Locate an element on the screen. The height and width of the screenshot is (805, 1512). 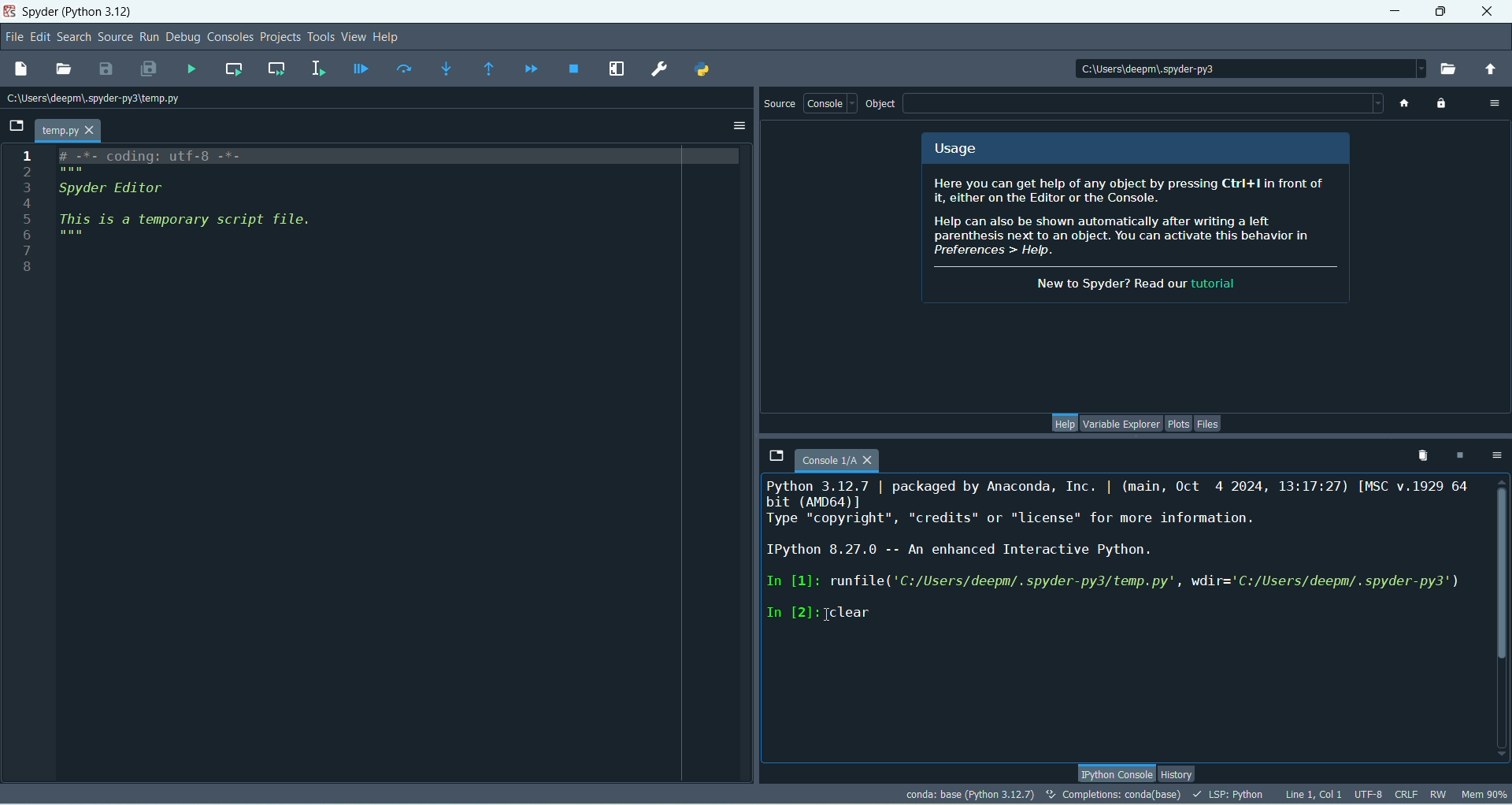
variable explorer is located at coordinates (1120, 424).